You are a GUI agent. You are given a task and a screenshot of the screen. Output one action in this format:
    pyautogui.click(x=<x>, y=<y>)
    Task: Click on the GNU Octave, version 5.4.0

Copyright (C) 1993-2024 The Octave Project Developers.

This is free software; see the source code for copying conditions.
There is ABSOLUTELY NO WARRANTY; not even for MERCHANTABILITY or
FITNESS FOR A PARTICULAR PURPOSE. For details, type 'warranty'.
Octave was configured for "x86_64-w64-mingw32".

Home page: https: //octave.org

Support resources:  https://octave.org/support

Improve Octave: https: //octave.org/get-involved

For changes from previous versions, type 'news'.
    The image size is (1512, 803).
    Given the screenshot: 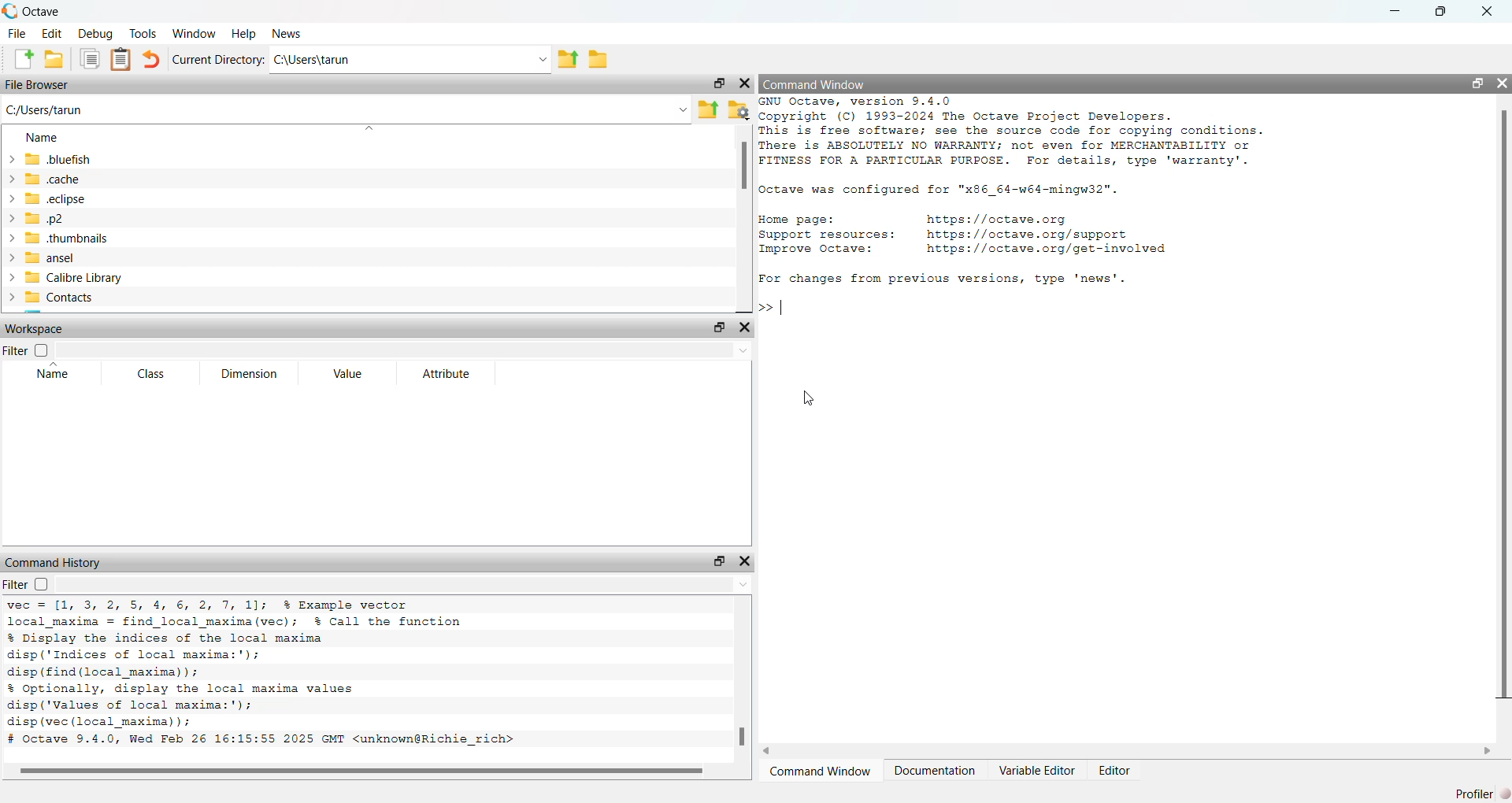 What is the action you would take?
    pyautogui.click(x=1014, y=194)
    